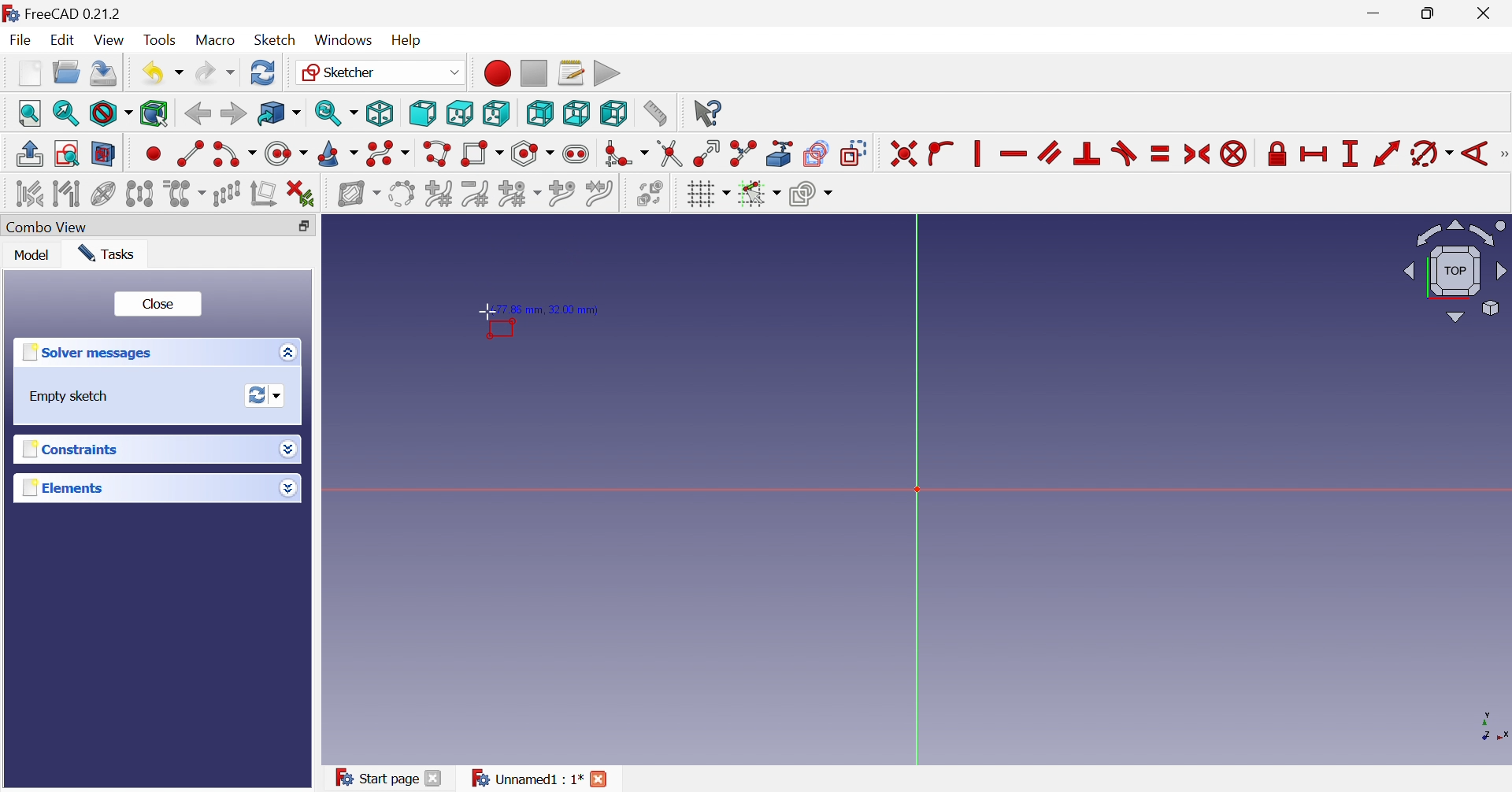 The image size is (1512, 792). I want to click on Constrain lock, so click(1277, 152).